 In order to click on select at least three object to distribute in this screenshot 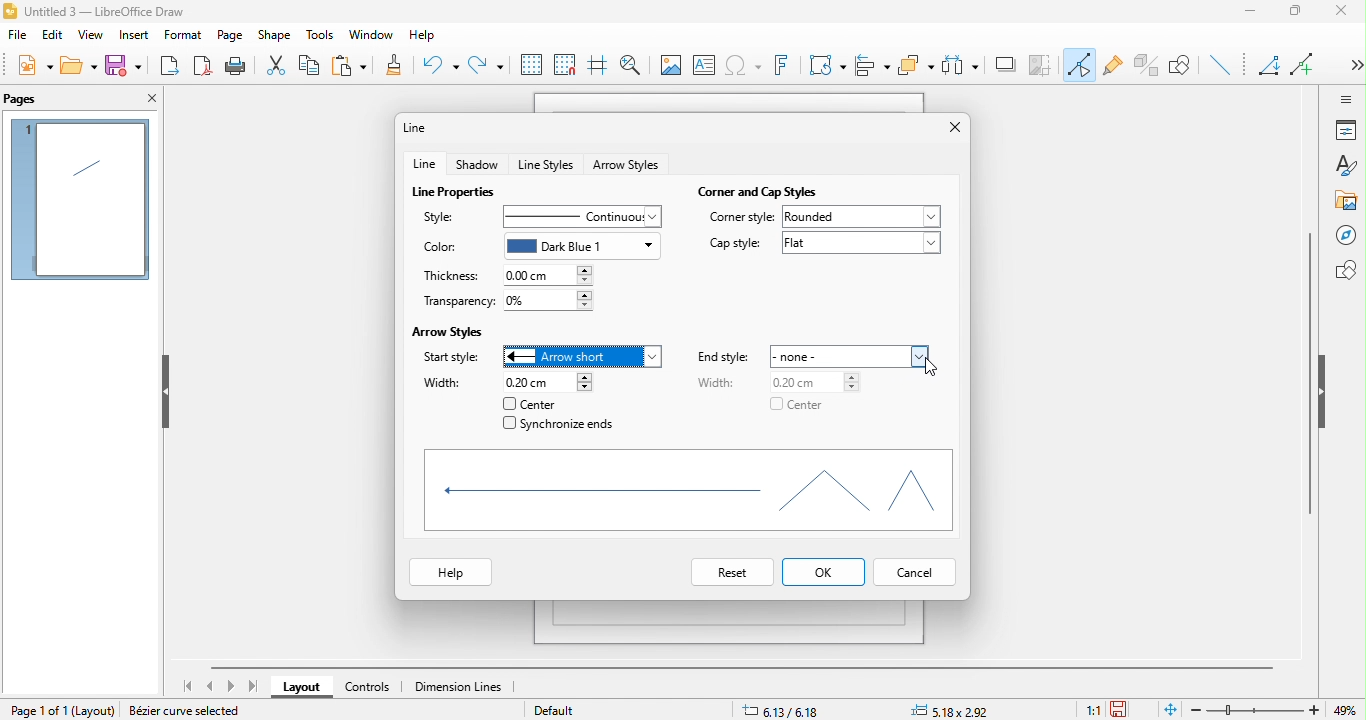, I will do `click(963, 64)`.